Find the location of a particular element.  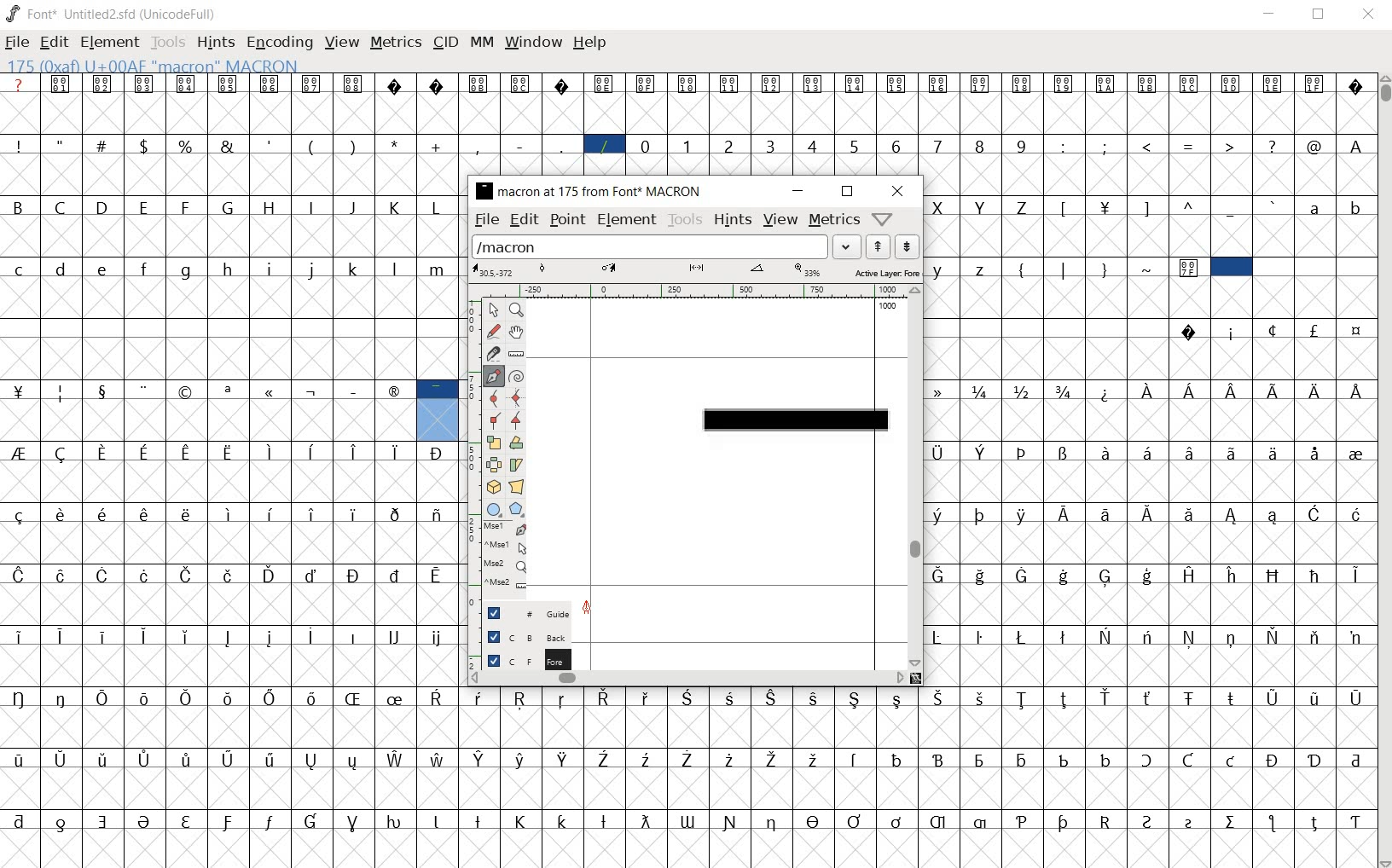

hints is located at coordinates (730, 219).